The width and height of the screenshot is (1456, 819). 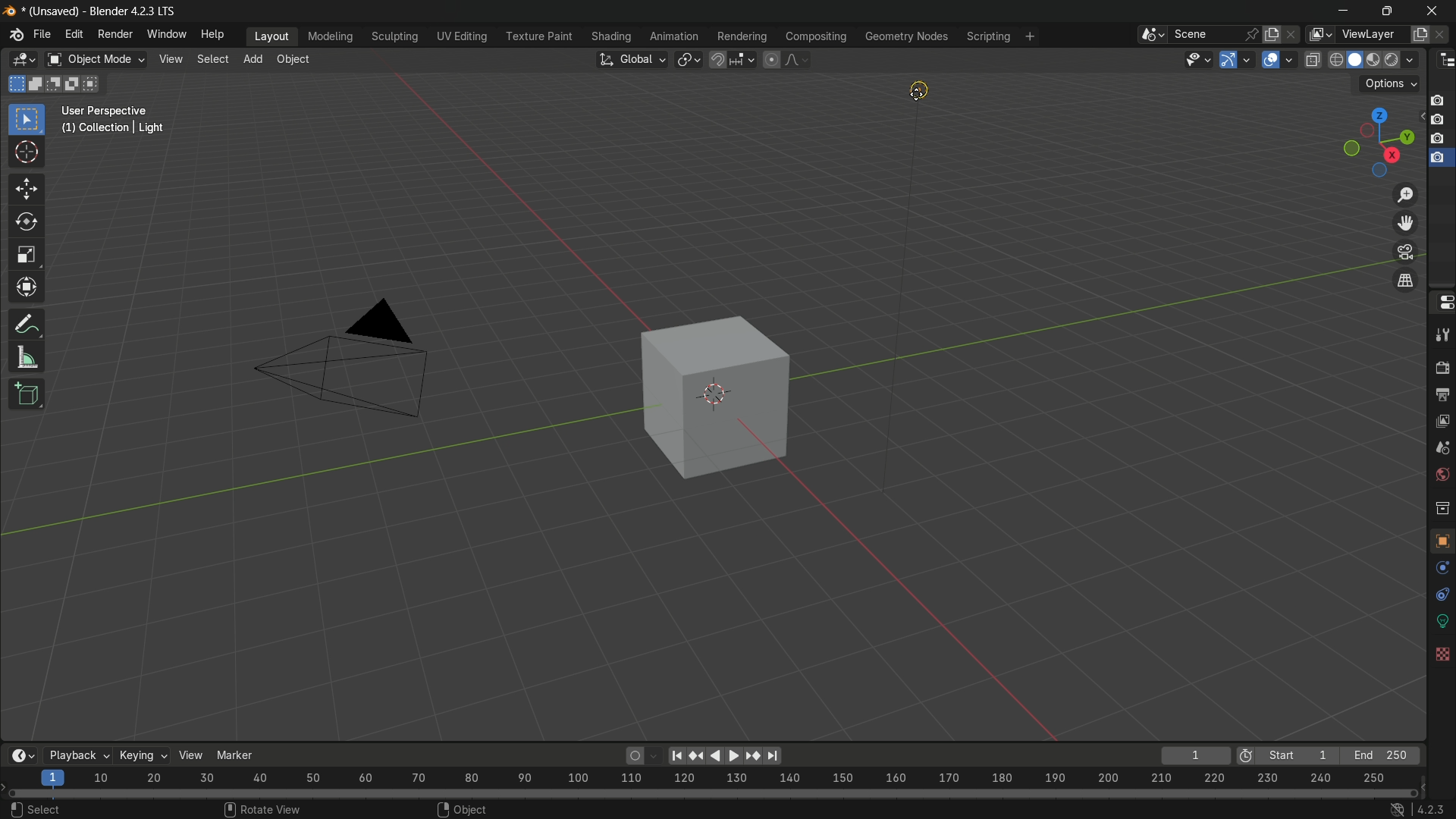 What do you see at coordinates (1442, 337) in the screenshot?
I see `tools` at bounding box center [1442, 337].